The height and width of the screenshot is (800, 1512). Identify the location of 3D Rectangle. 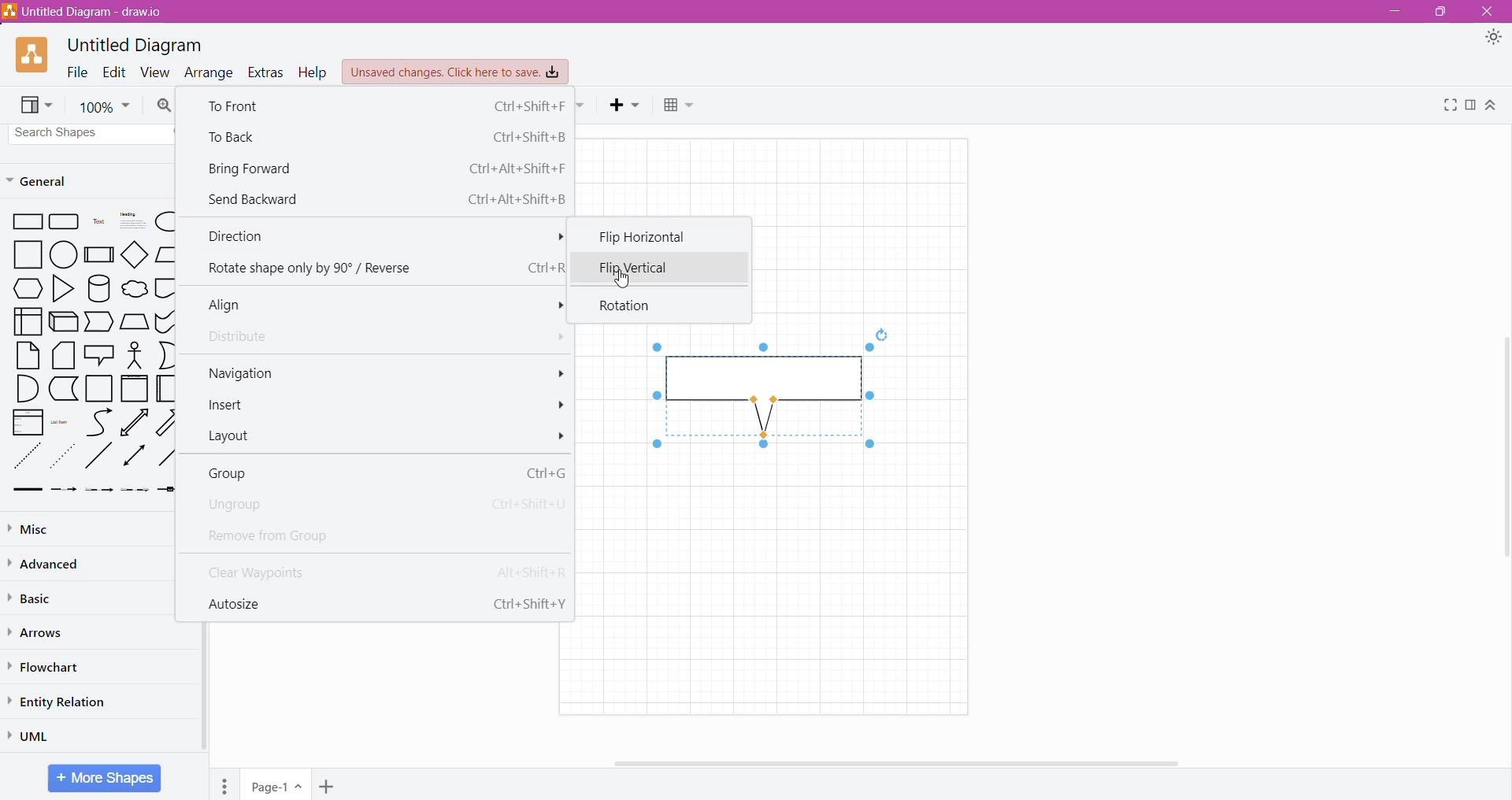
(64, 321).